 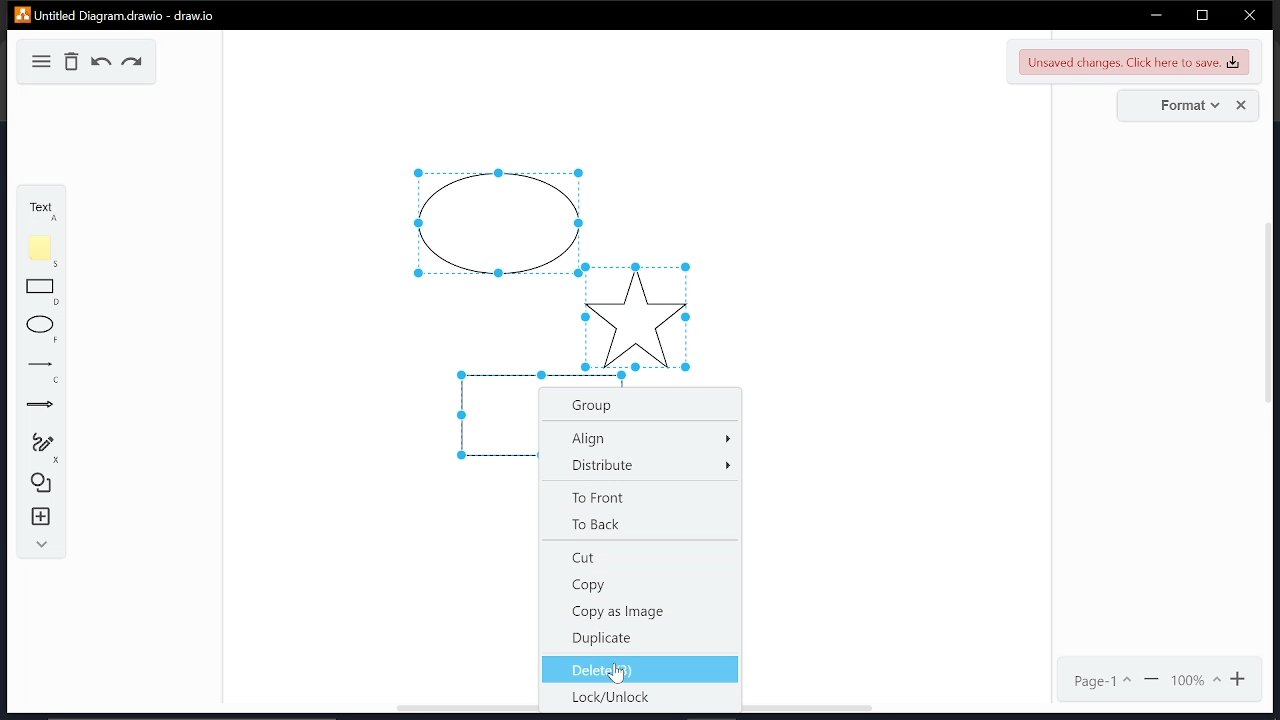 I want to click on delete, so click(x=73, y=62).